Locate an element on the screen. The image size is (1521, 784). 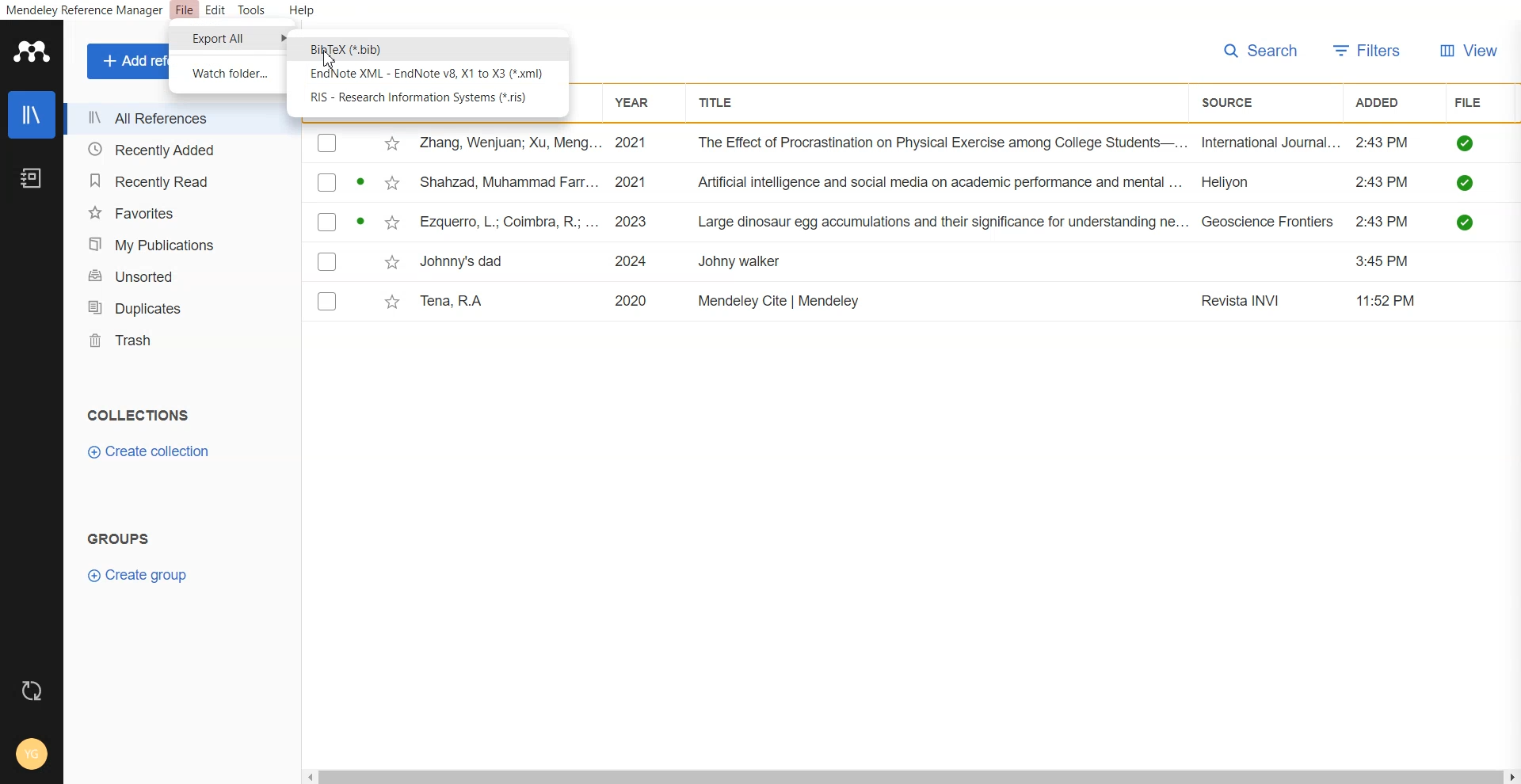
Johny walker is located at coordinates (741, 263).